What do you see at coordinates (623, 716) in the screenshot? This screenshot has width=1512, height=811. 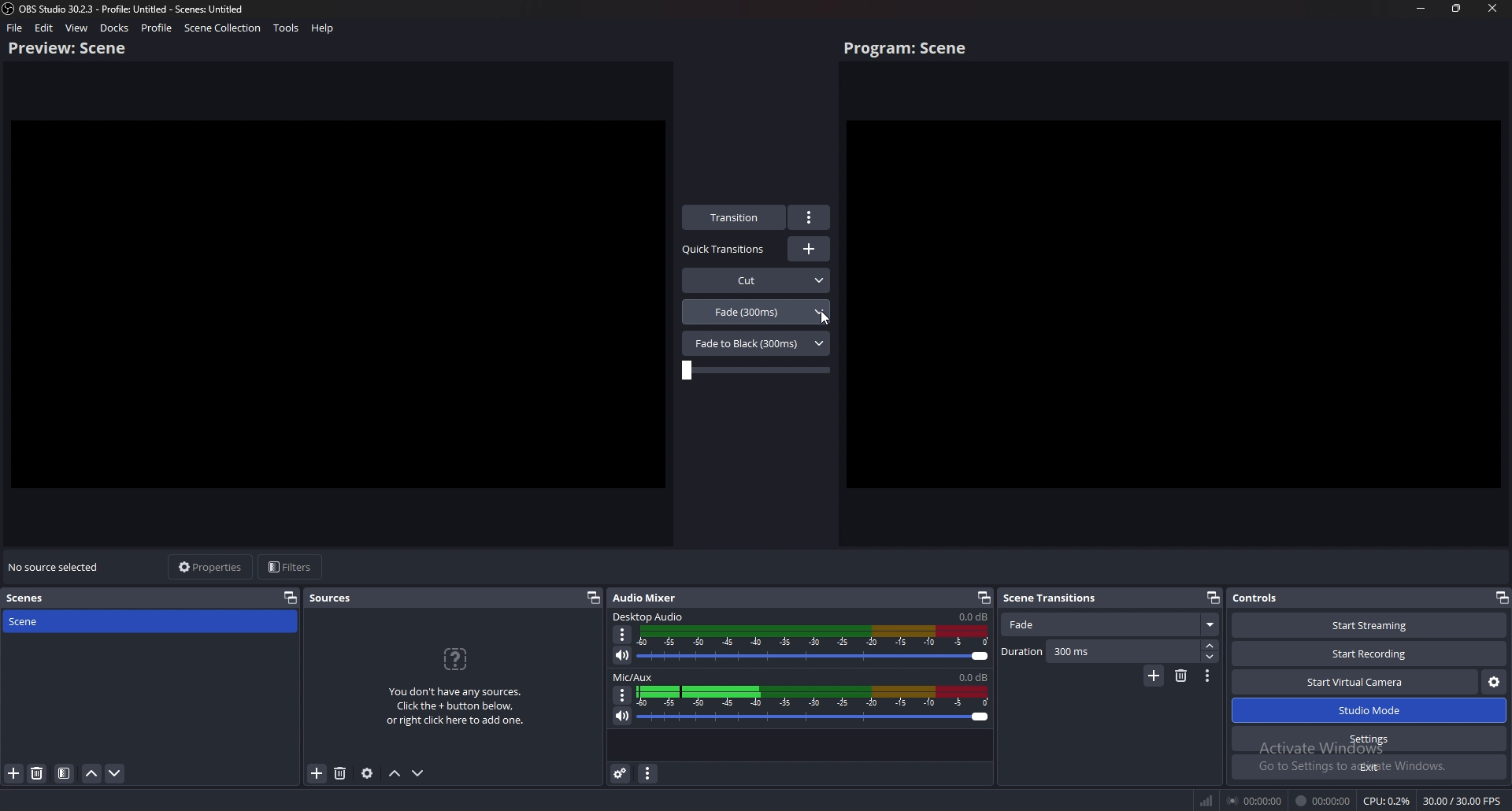 I see `mute` at bounding box center [623, 716].